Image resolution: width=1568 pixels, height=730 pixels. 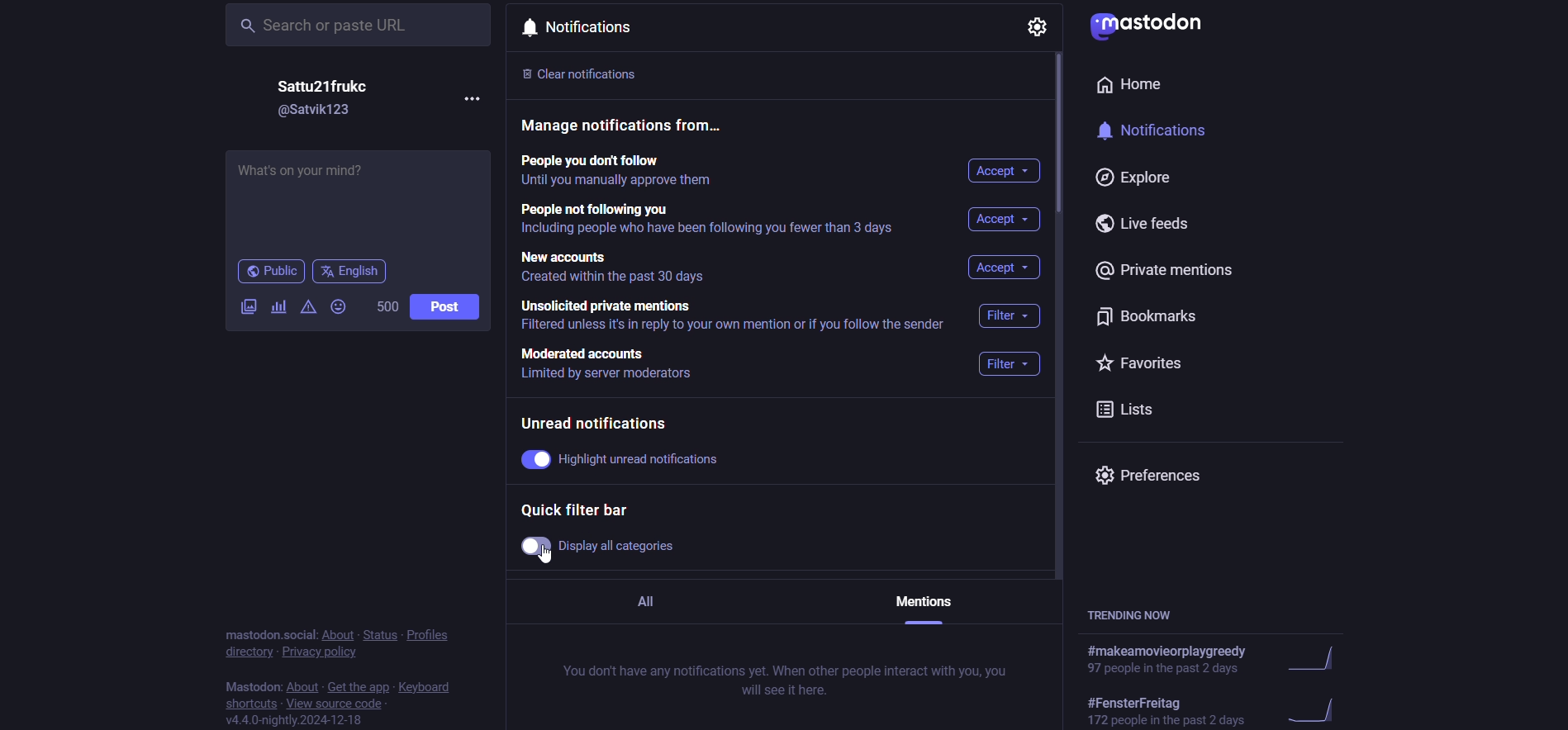 What do you see at coordinates (246, 653) in the screenshot?
I see `directory` at bounding box center [246, 653].